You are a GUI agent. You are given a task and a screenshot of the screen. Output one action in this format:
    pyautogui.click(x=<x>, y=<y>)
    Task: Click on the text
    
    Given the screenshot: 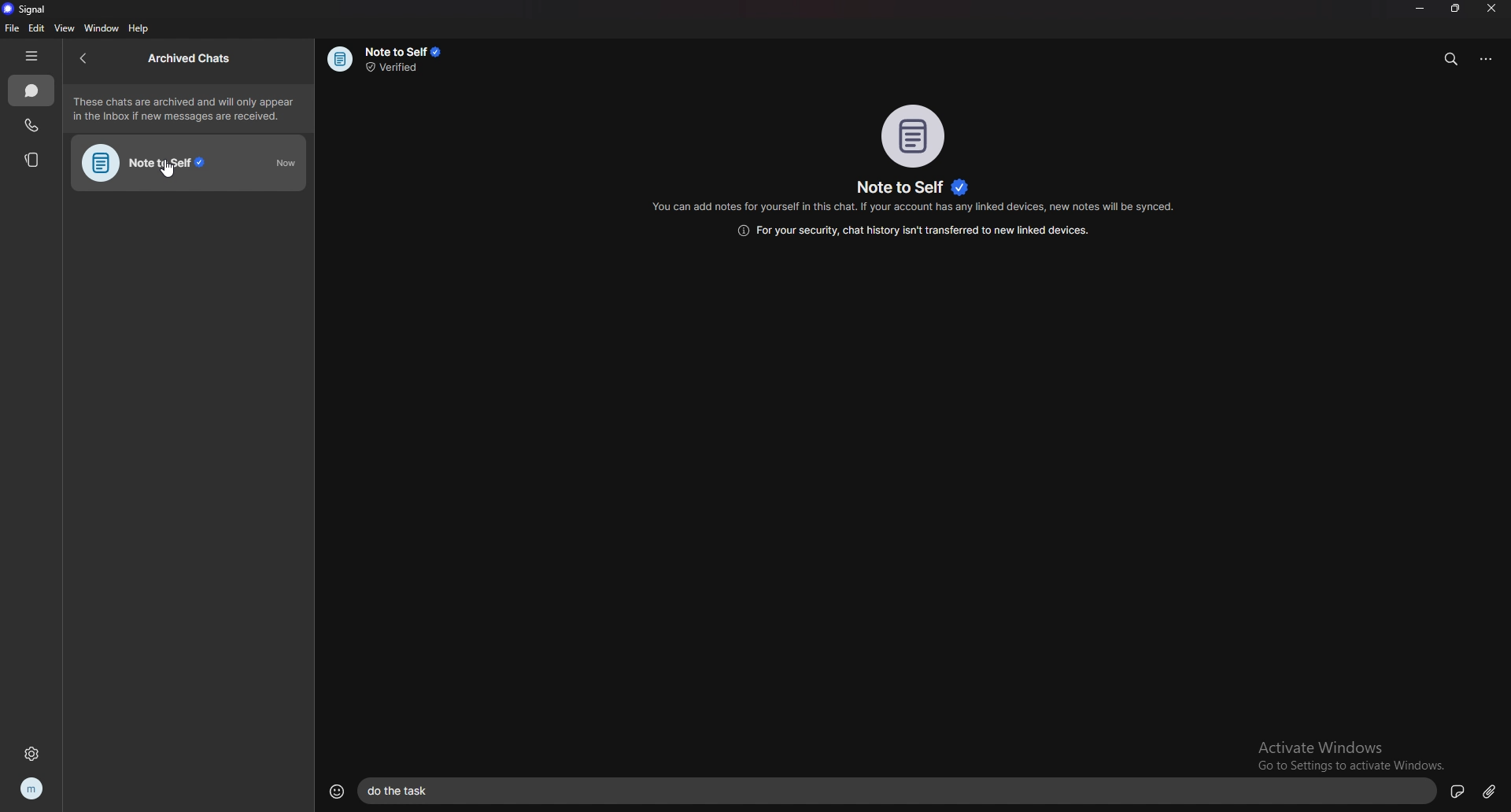 What is the action you would take?
    pyautogui.click(x=411, y=791)
    